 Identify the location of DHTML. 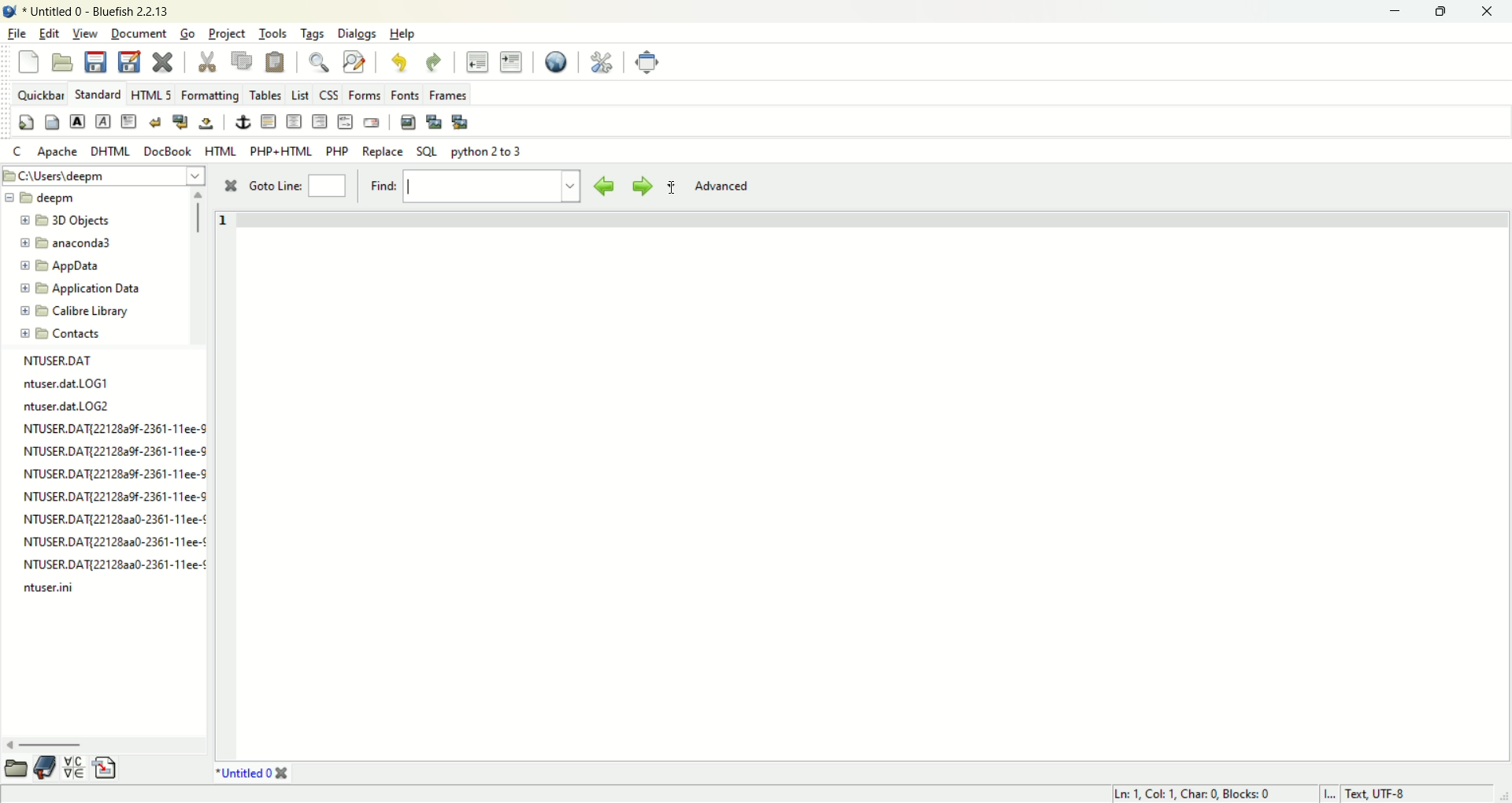
(112, 151).